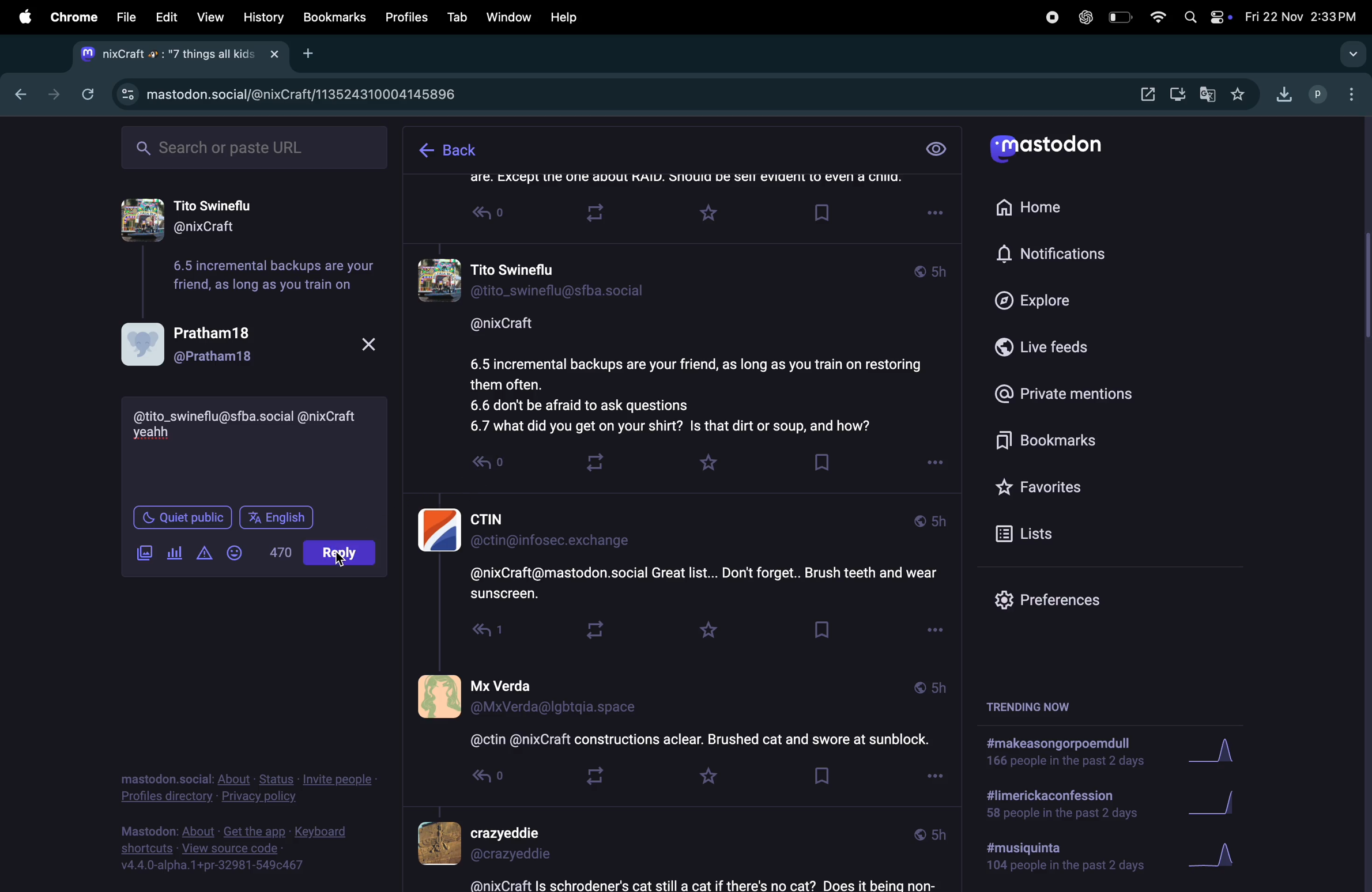 This screenshot has width=1372, height=892. I want to click on thread, so click(672, 852).